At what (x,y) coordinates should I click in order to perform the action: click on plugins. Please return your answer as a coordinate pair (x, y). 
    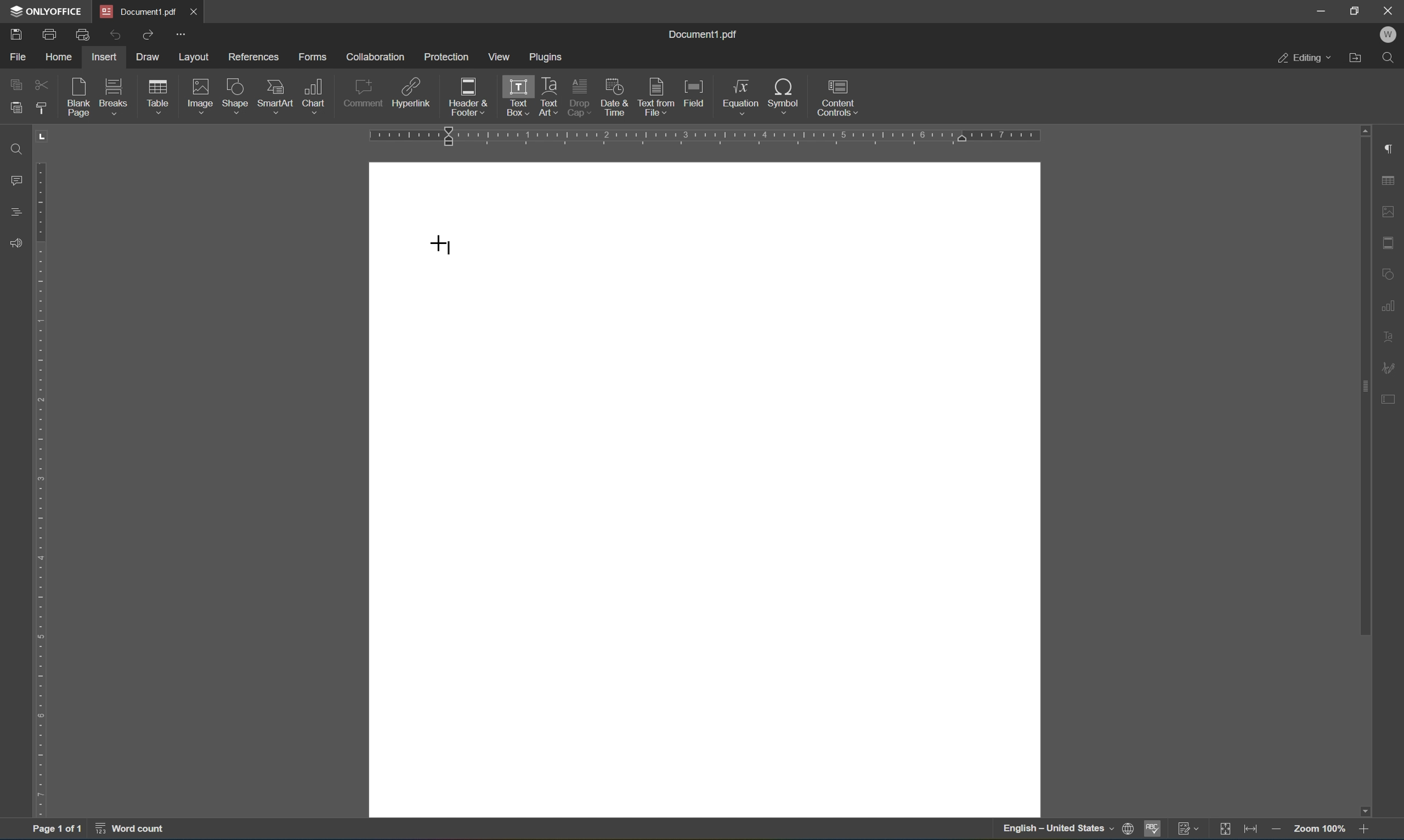
    Looking at the image, I should click on (547, 58).